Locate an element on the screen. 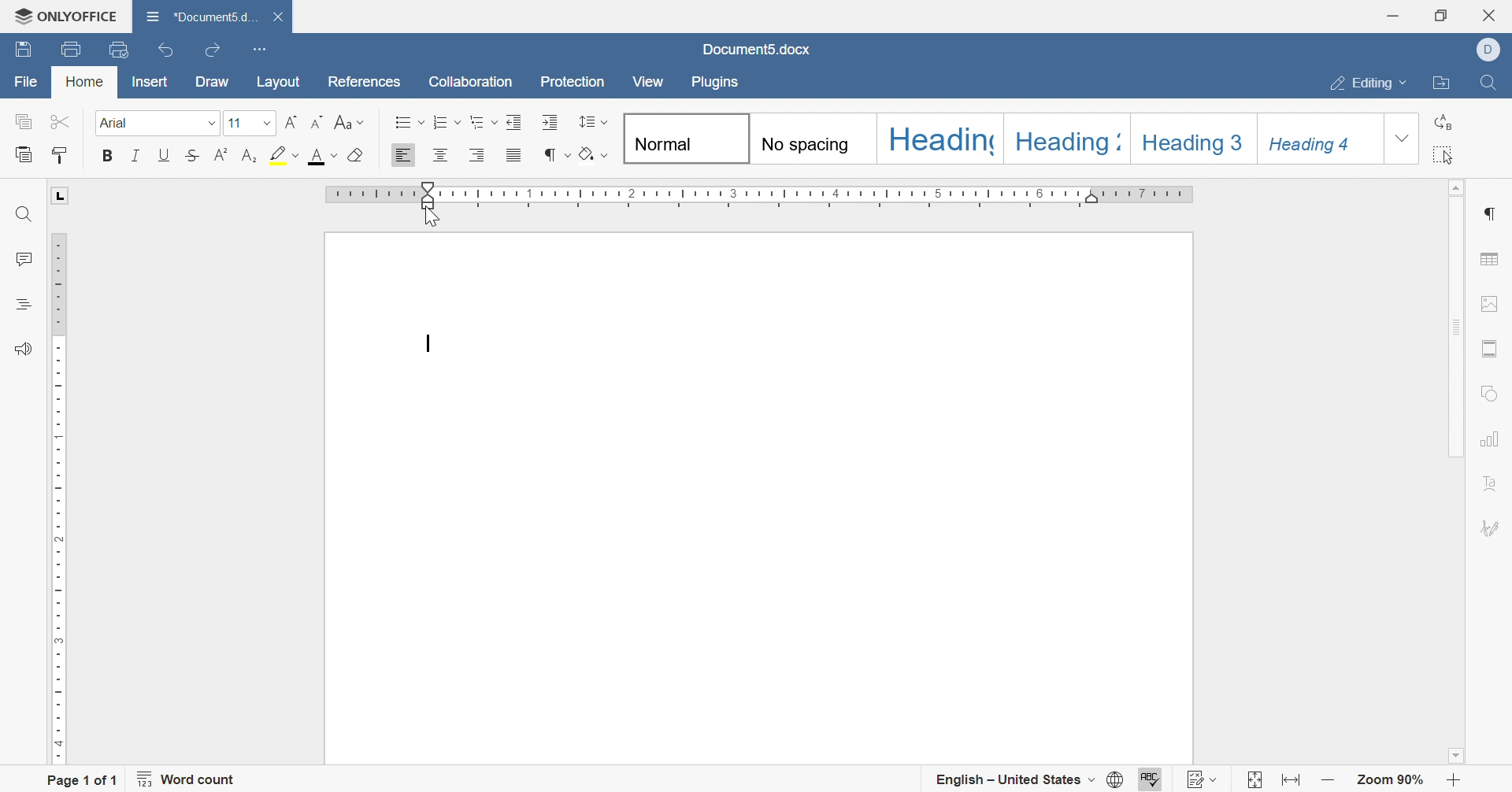 The image size is (1512, 792). justified is located at coordinates (513, 157).